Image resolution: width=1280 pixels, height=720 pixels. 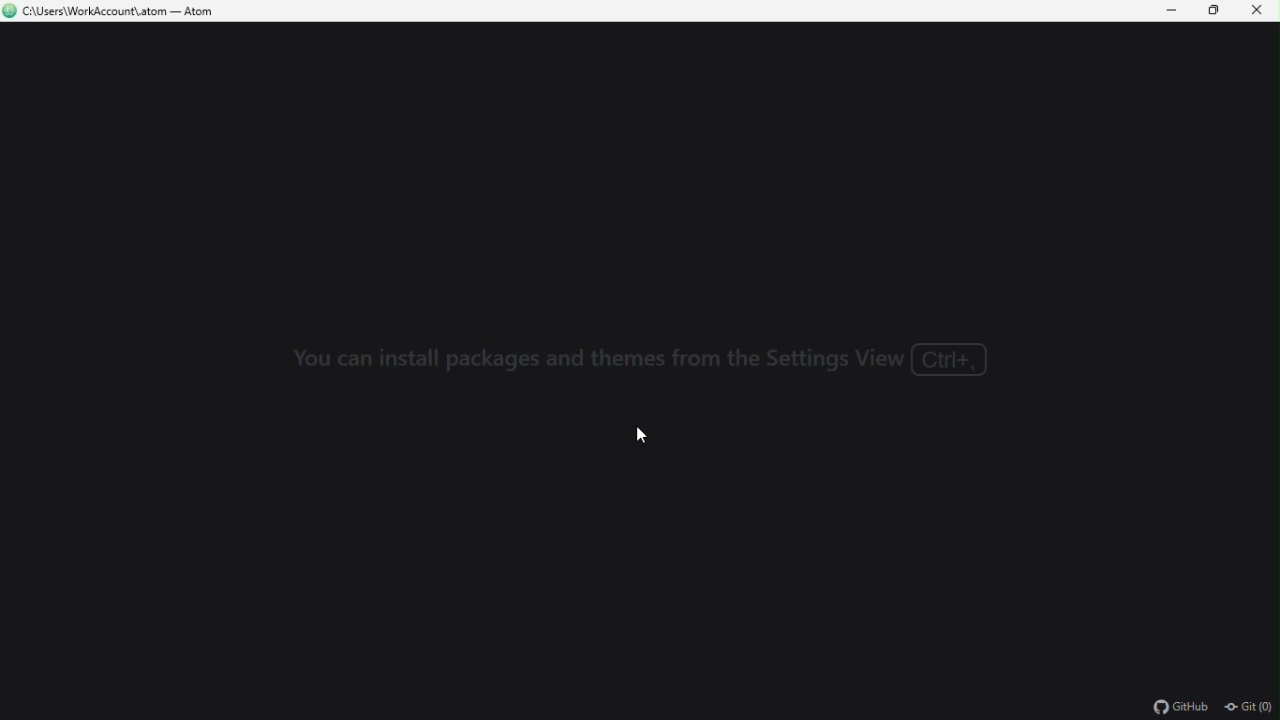 I want to click on git, so click(x=1252, y=707).